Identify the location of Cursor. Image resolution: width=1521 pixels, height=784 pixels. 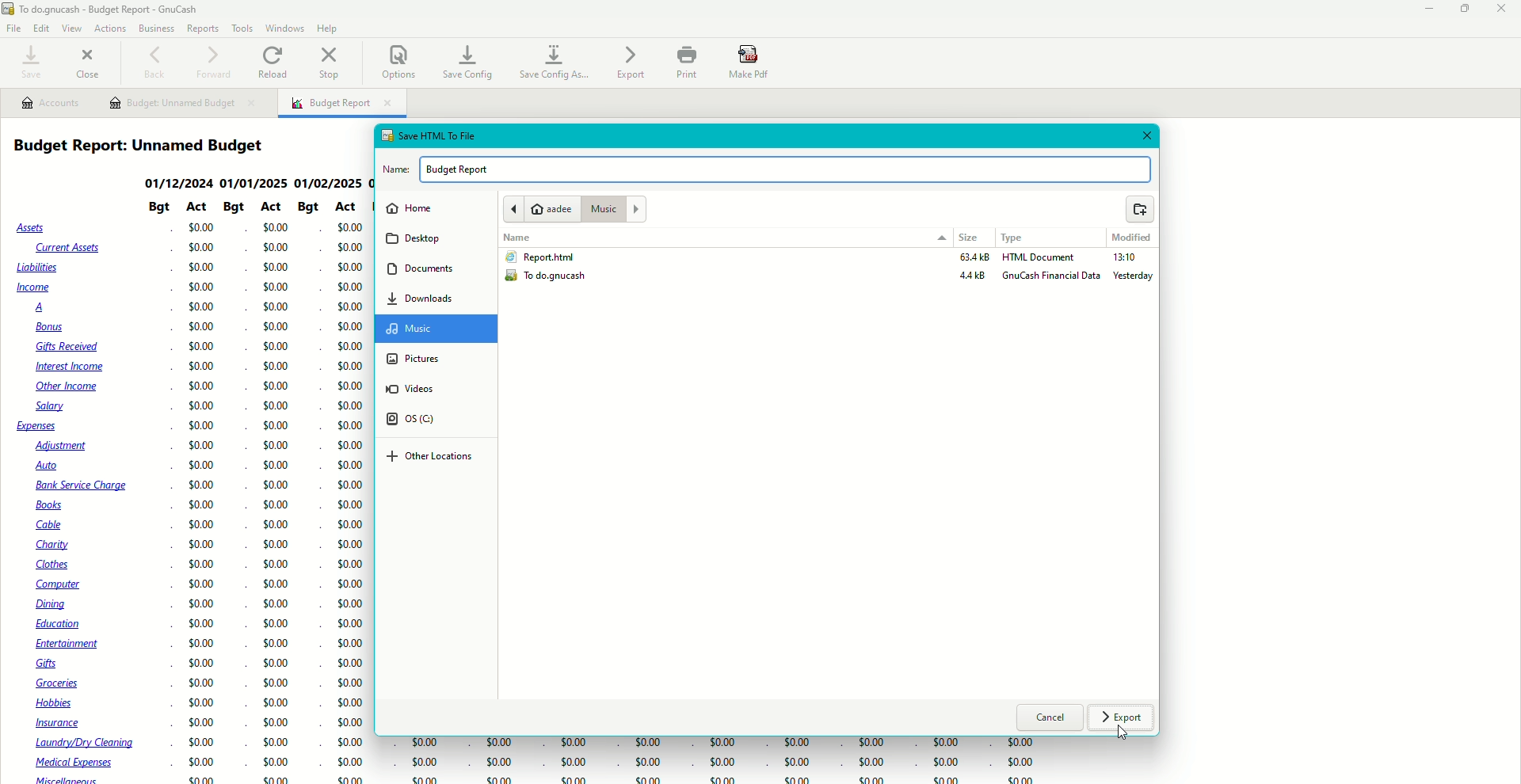
(1122, 735).